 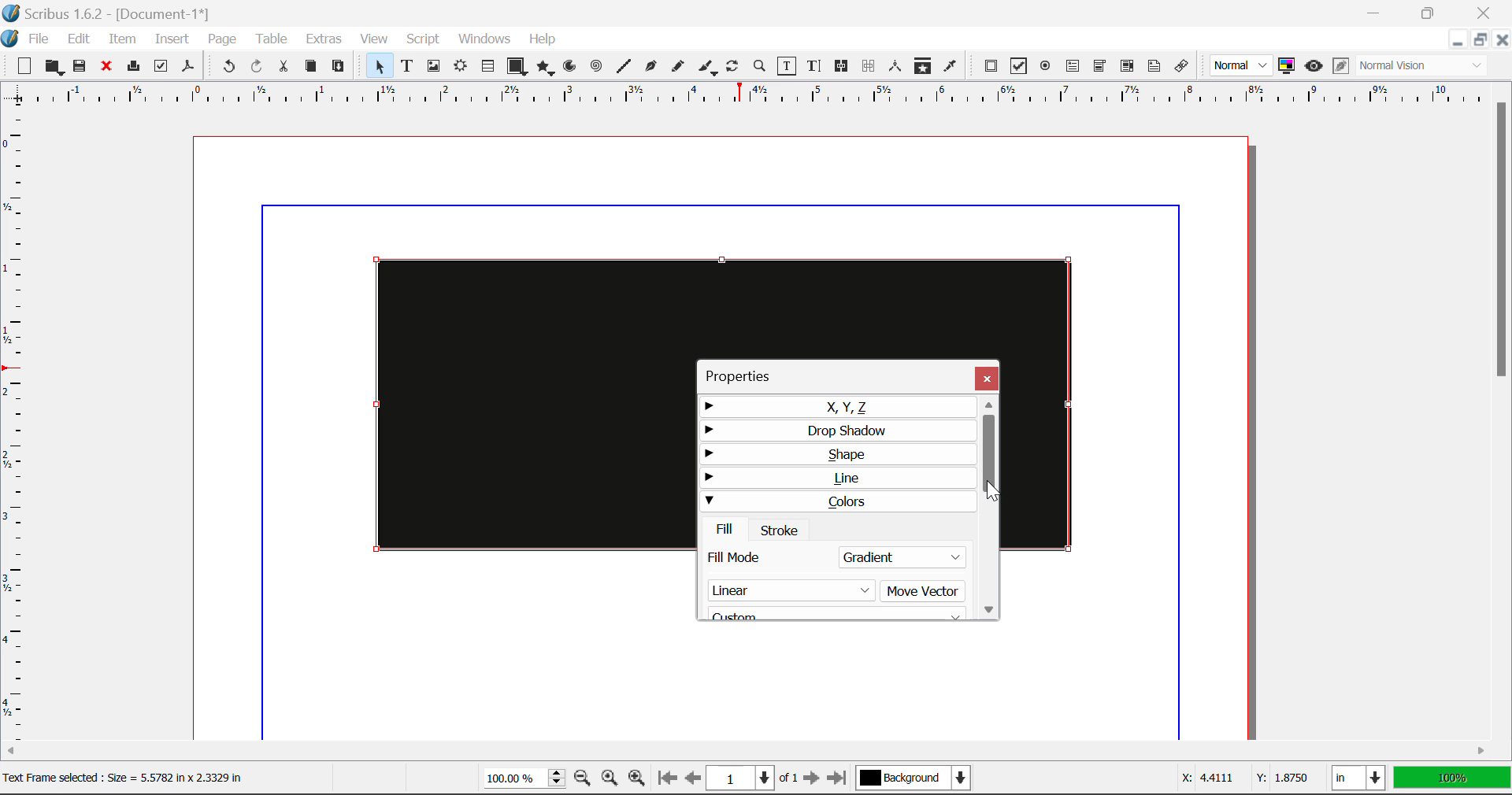 What do you see at coordinates (339, 67) in the screenshot?
I see `Paste` at bounding box center [339, 67].